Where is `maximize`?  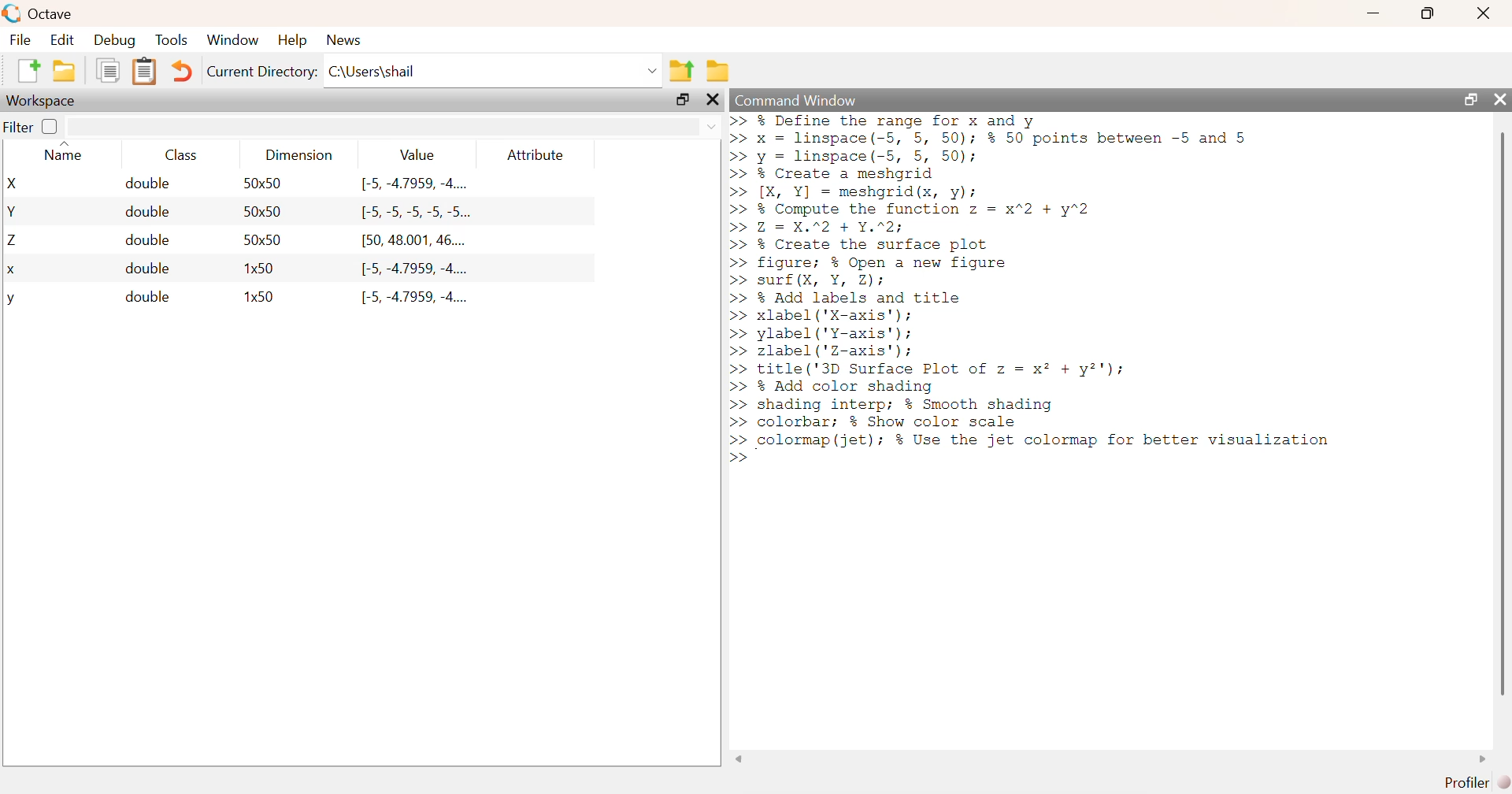
maximize is located at coordinates (1469, 98).